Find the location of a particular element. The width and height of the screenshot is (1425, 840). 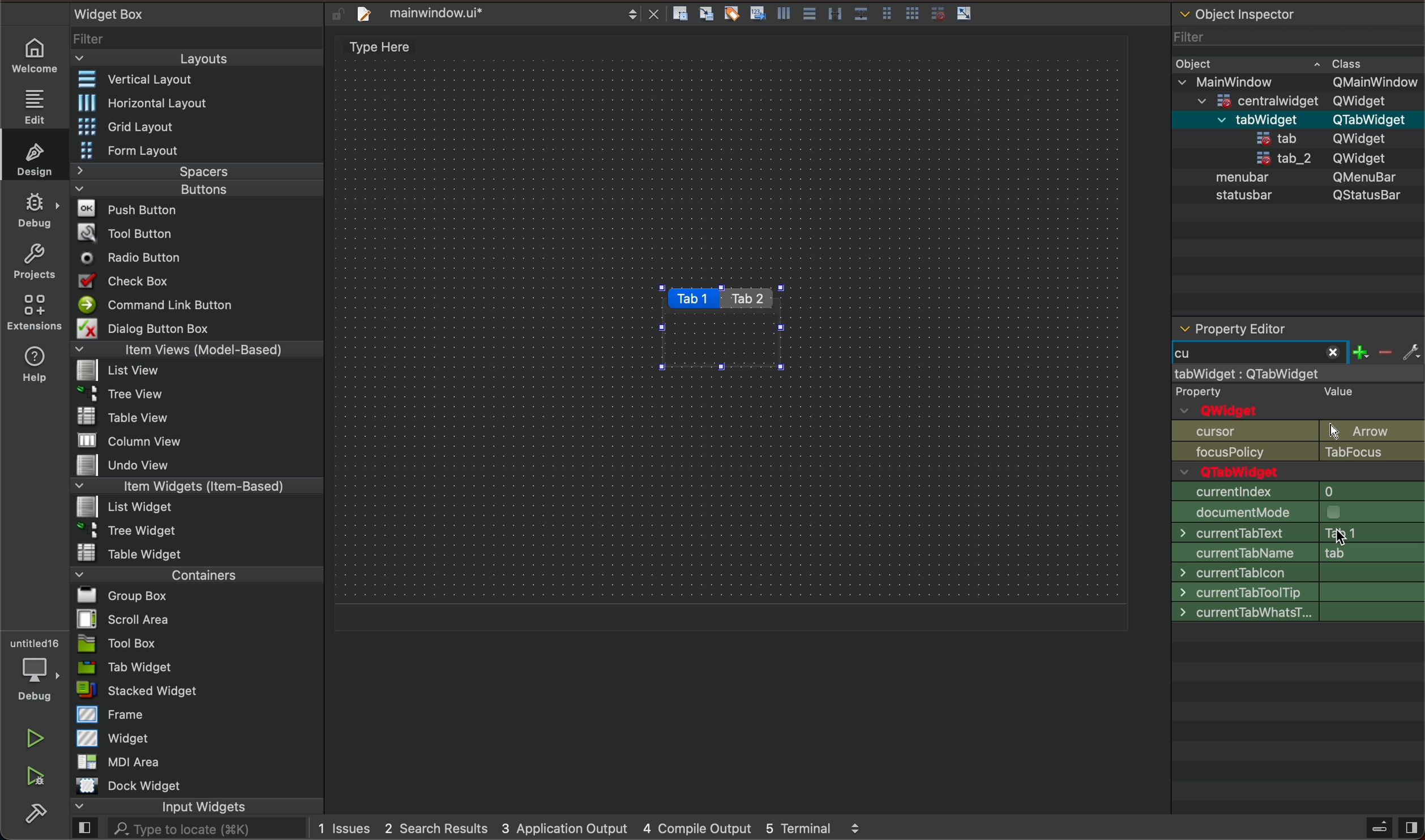

QWidget is located at coordinates (1362, 157).